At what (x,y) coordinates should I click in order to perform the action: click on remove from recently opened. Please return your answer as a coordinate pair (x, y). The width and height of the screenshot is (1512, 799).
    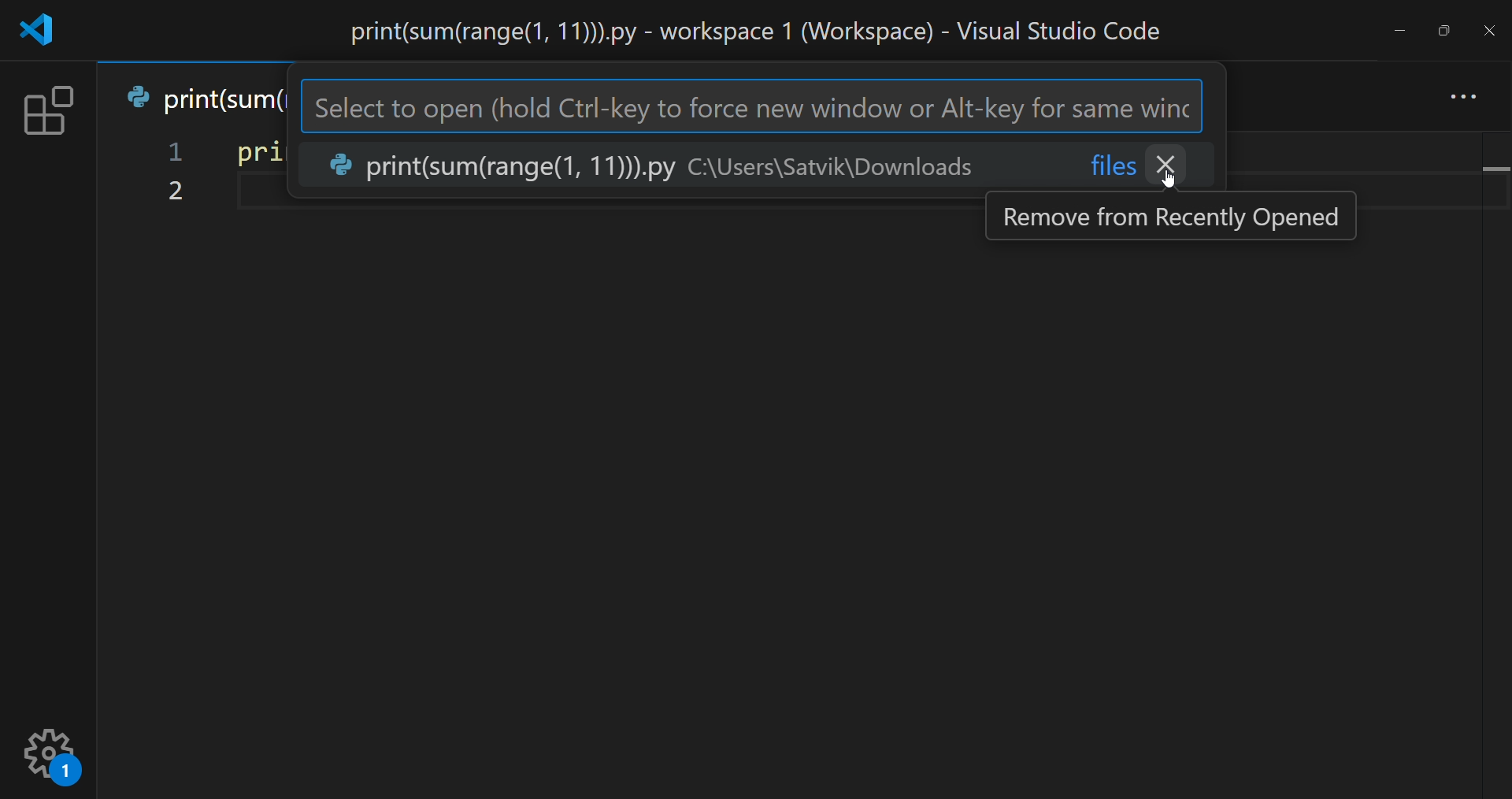
    Looking at the image, I should click on (1175, 215).